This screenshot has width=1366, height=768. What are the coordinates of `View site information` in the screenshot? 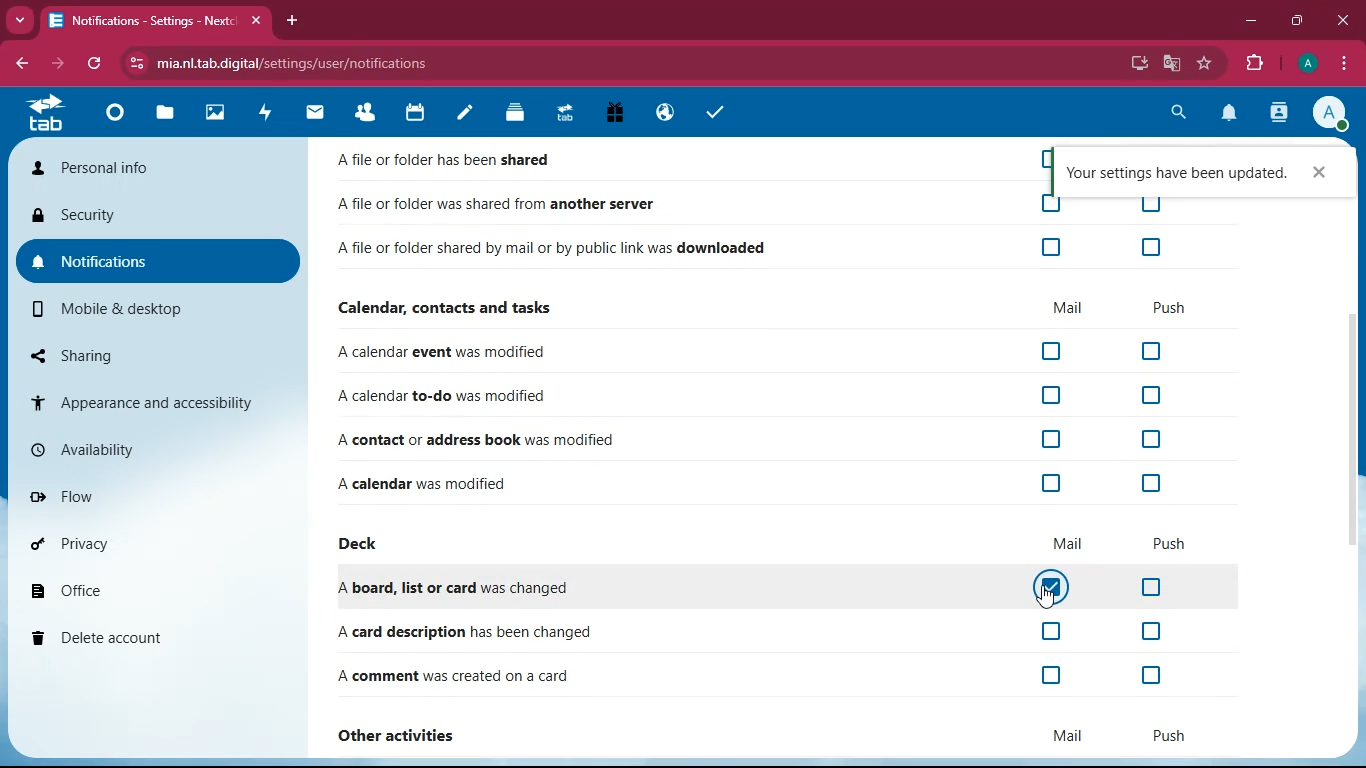 It's located at (136, 63).